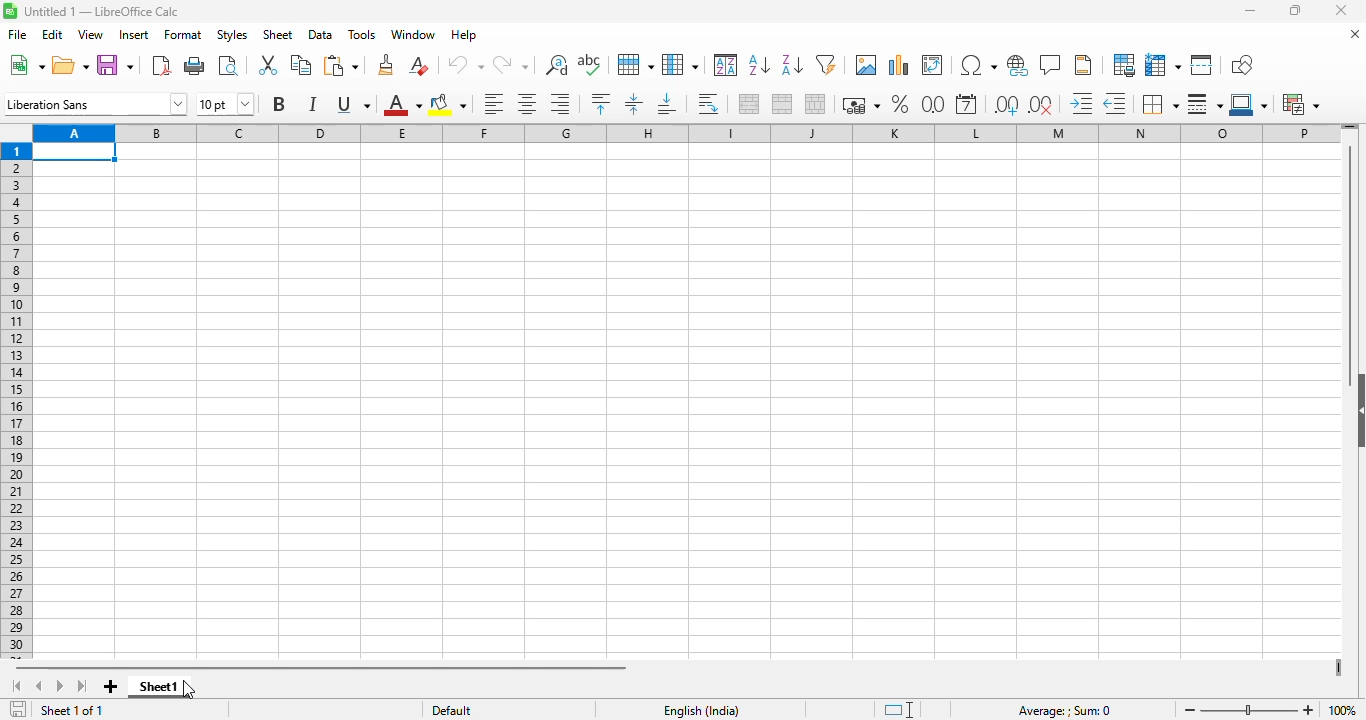 Image resolution: width=1366 pixels, height=720 pixels. Describe the element at coordinates (1190, 710) in the screenshot. I see `zoom out` at that location.